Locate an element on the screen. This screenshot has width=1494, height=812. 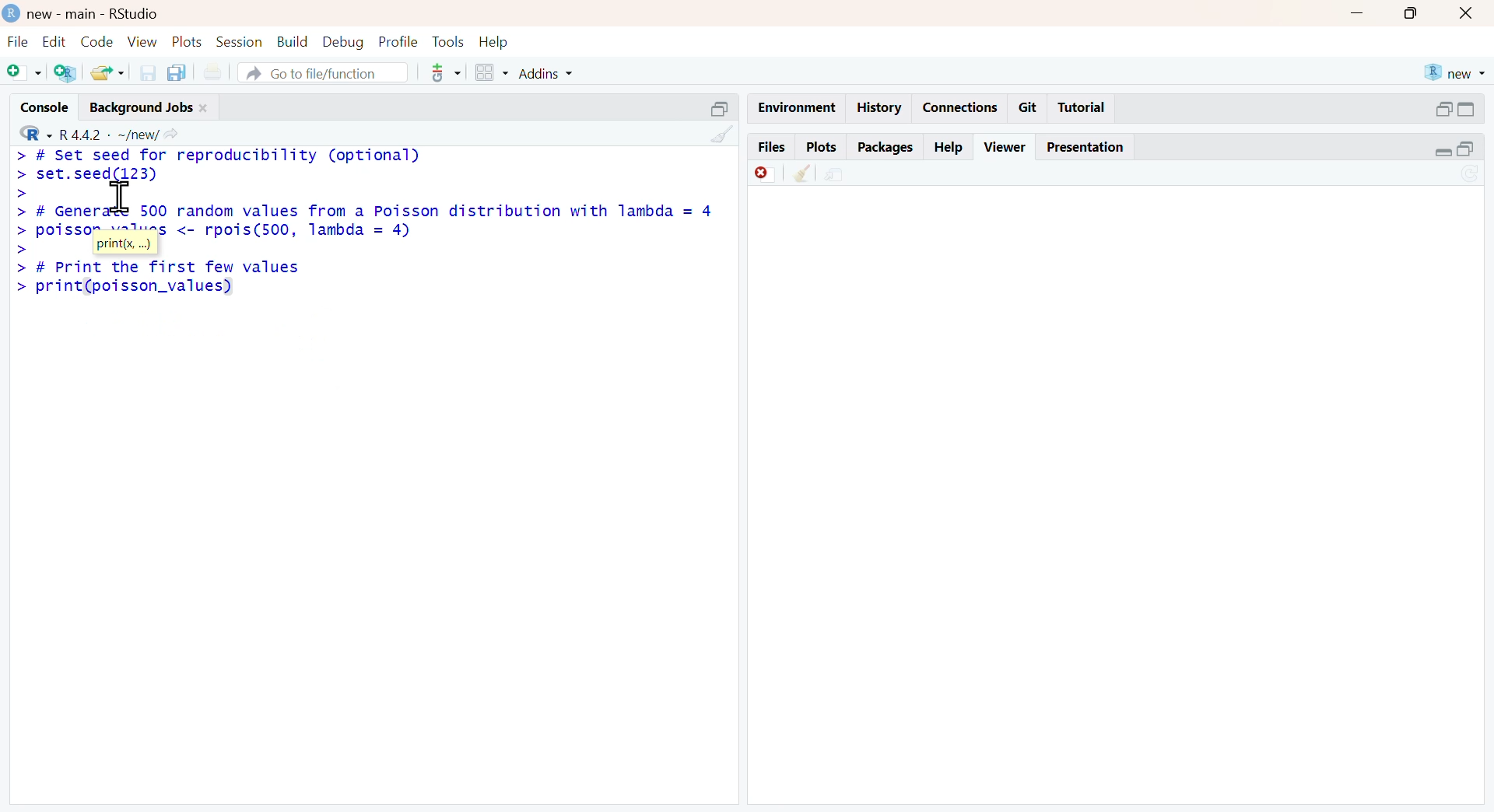
expand/collapse is located at coordinates (1468, 110).